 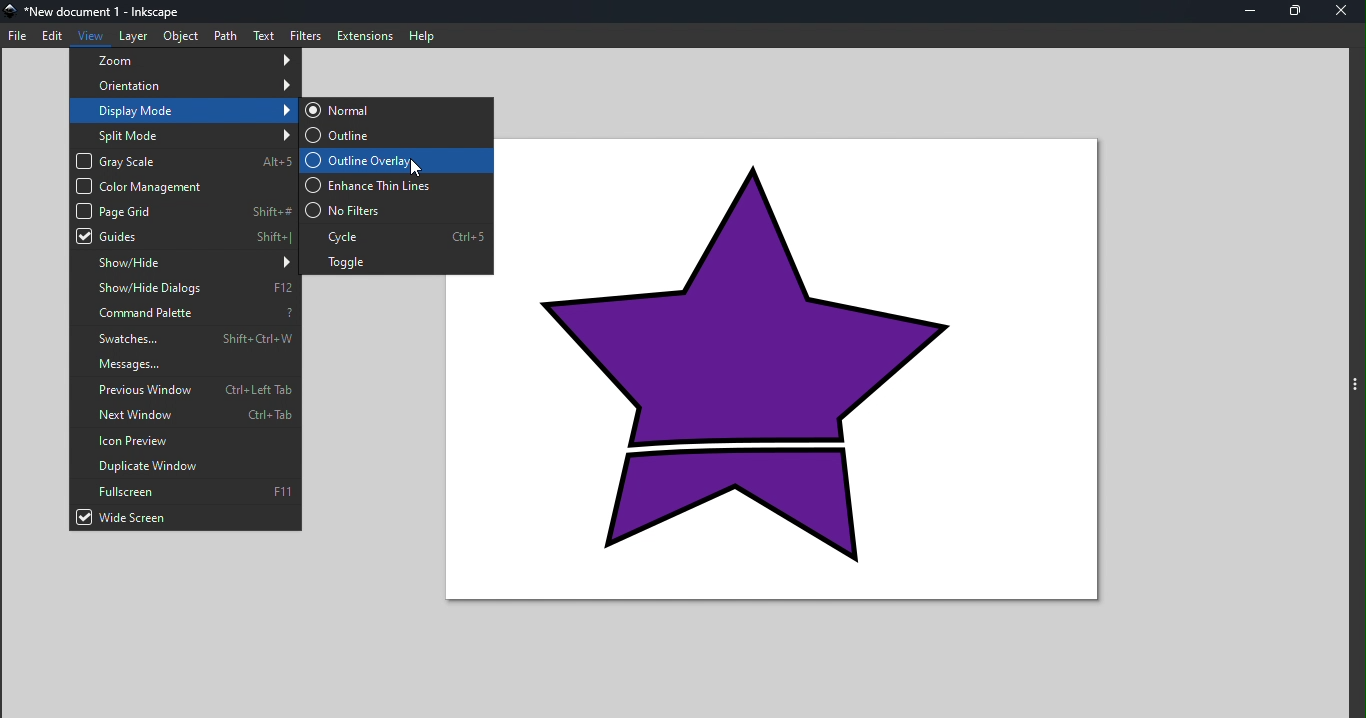 I want to click on Help, so click(x=424, y=34).